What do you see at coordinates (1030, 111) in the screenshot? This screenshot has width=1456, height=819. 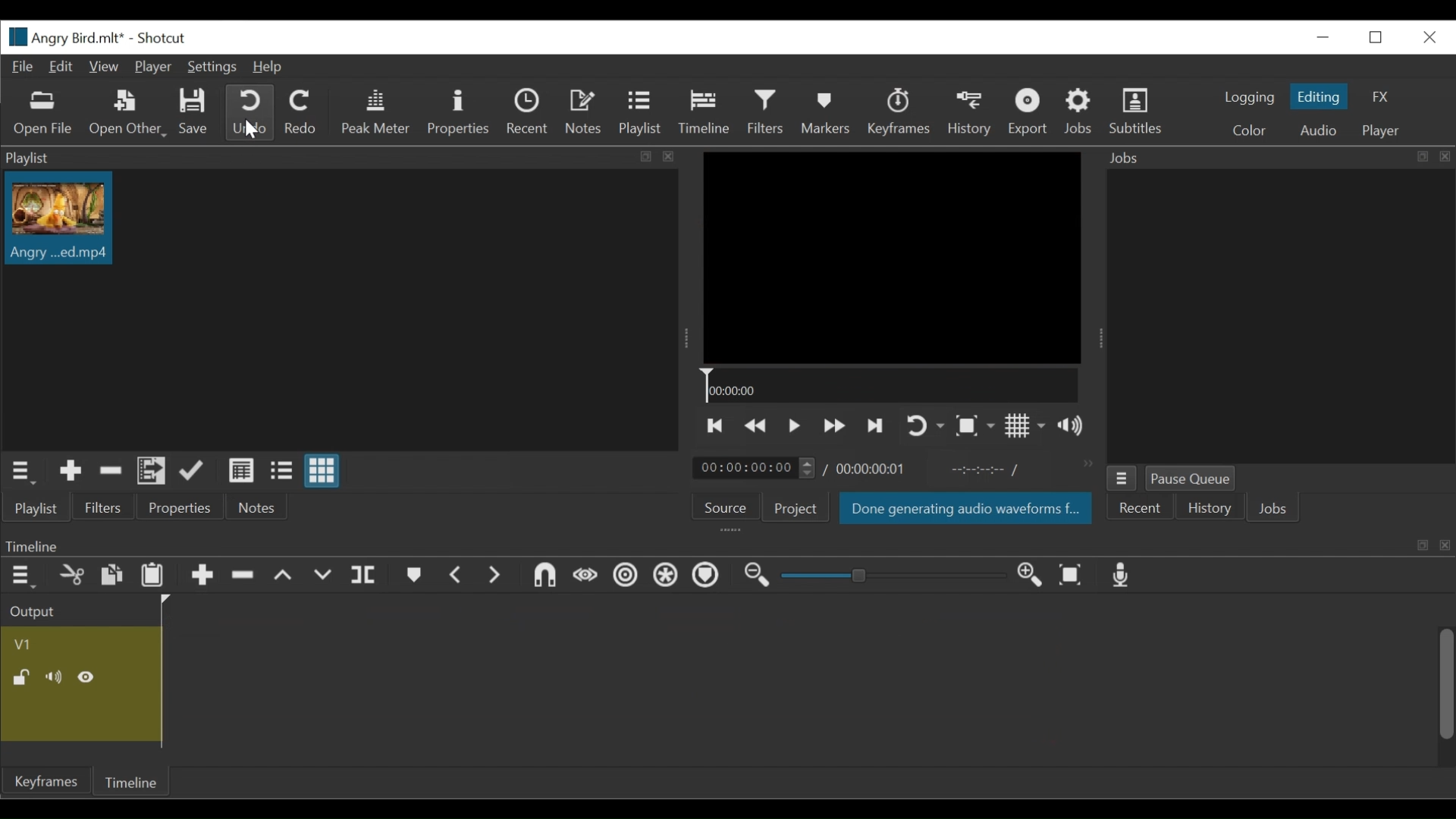 I see `Export` at bounding box center [1030, 111].